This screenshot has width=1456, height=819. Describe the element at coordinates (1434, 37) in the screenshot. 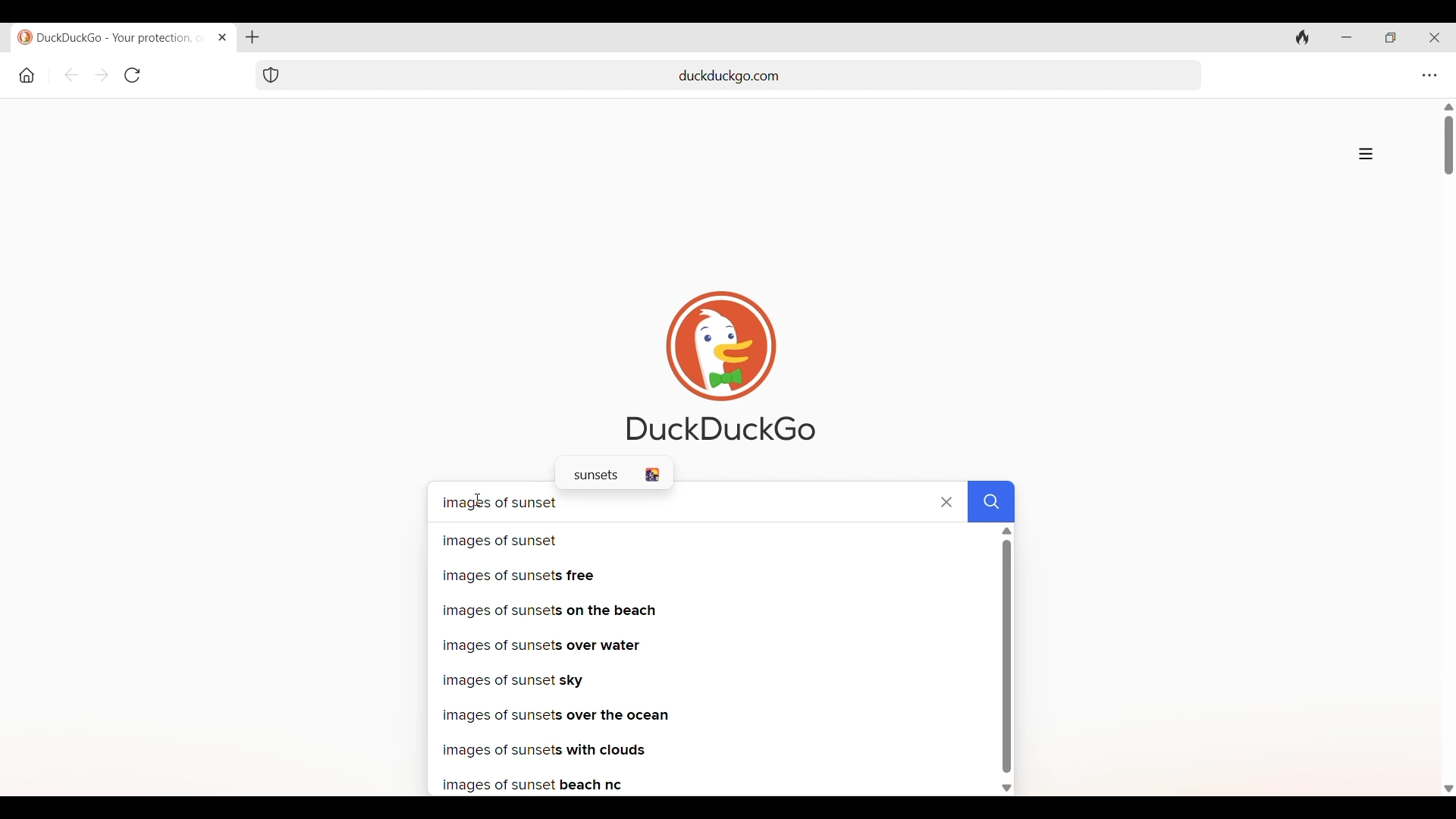

I see `Close interface` at that location.